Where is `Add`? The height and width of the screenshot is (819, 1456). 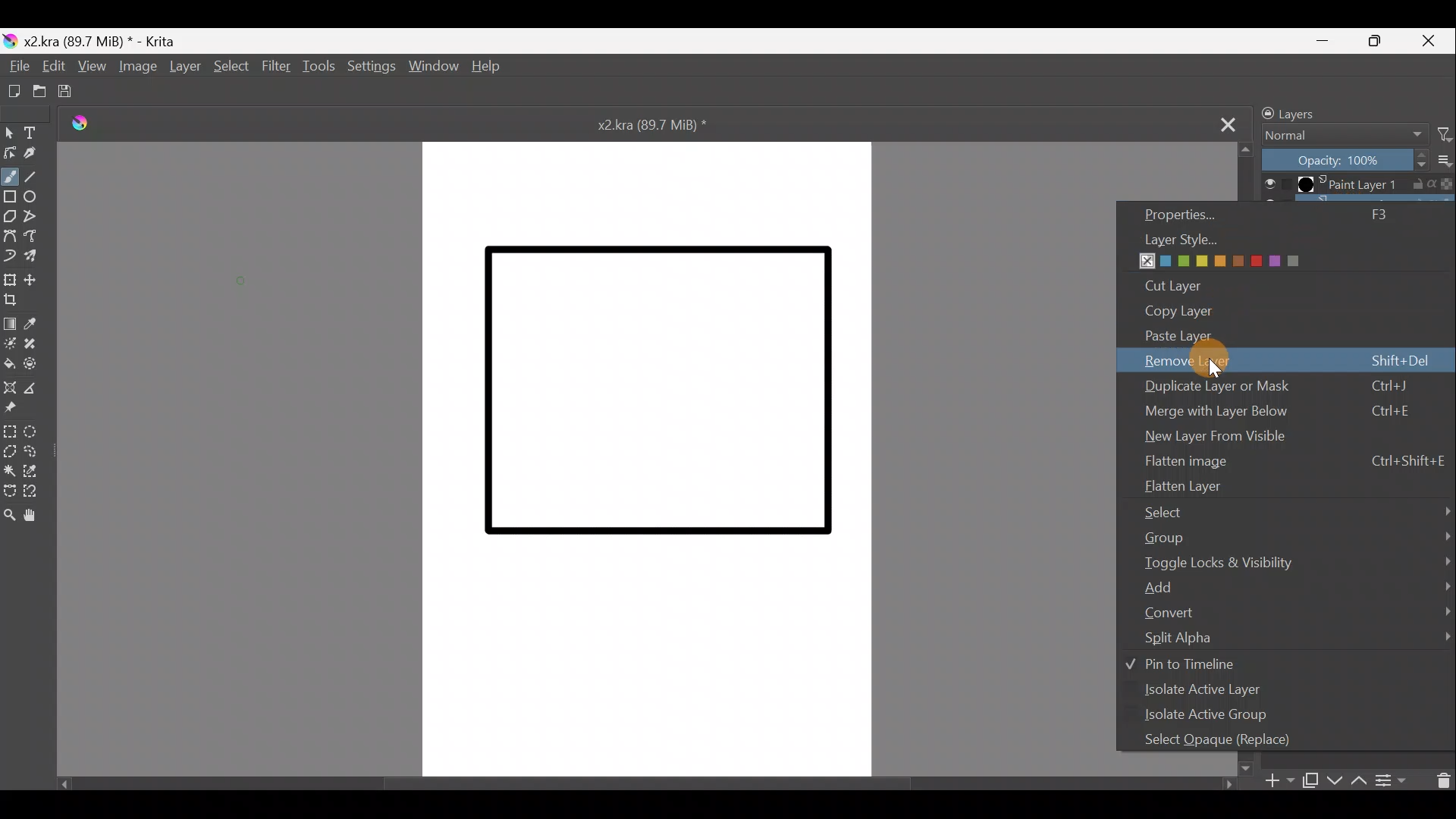
Add is located at coordinates (1298, 585).